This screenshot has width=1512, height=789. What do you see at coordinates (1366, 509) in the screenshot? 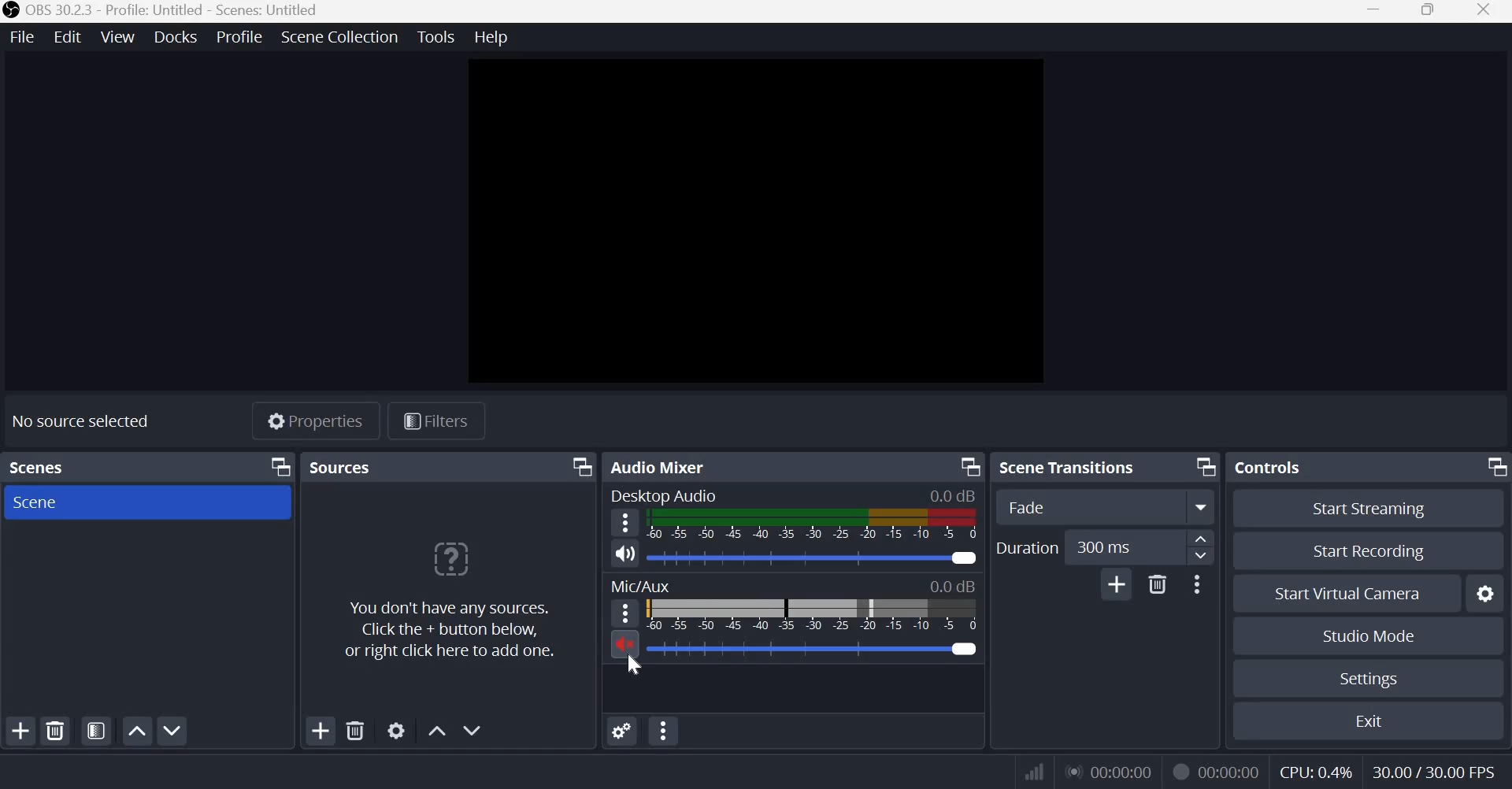
I see `Start streaming` at bounding box center [1366, 509].